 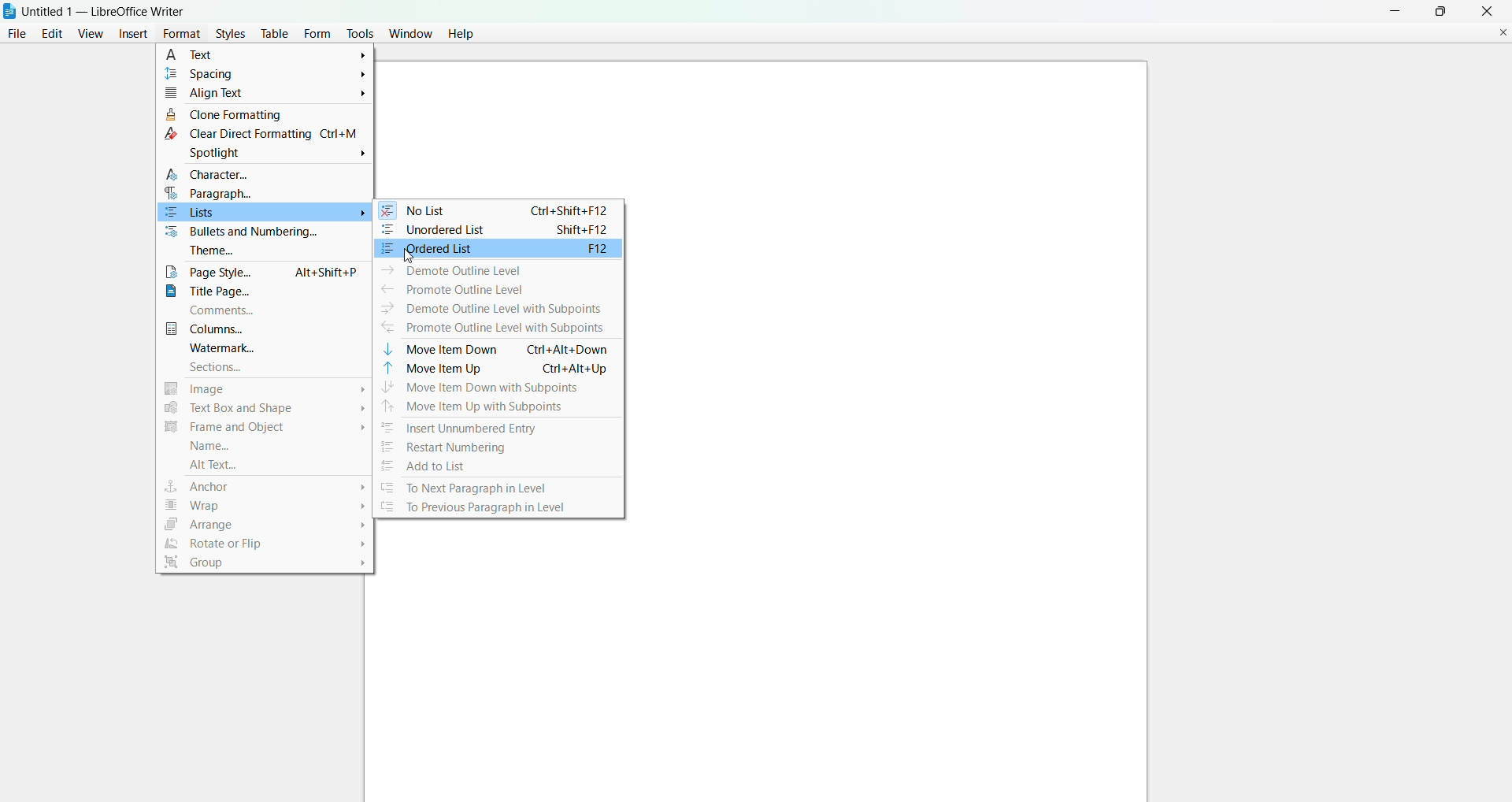 What do you see at coordinates (261, 273) in the screenshot?
I see `page style Alt+Shift+P` at bounding box center [261, 273].